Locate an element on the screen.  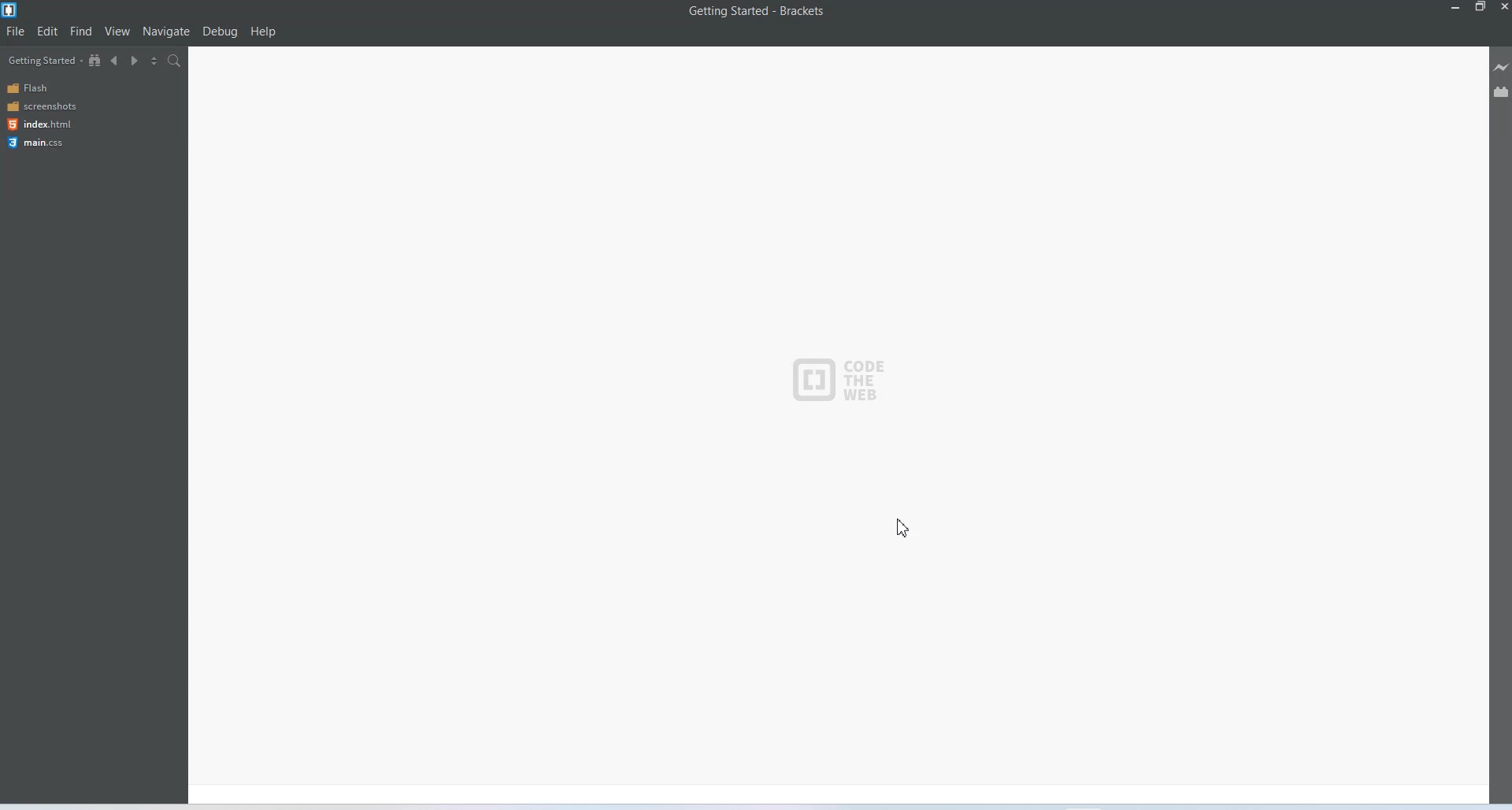
Getting Started - Bracekts is located at coordinates (761, 12).